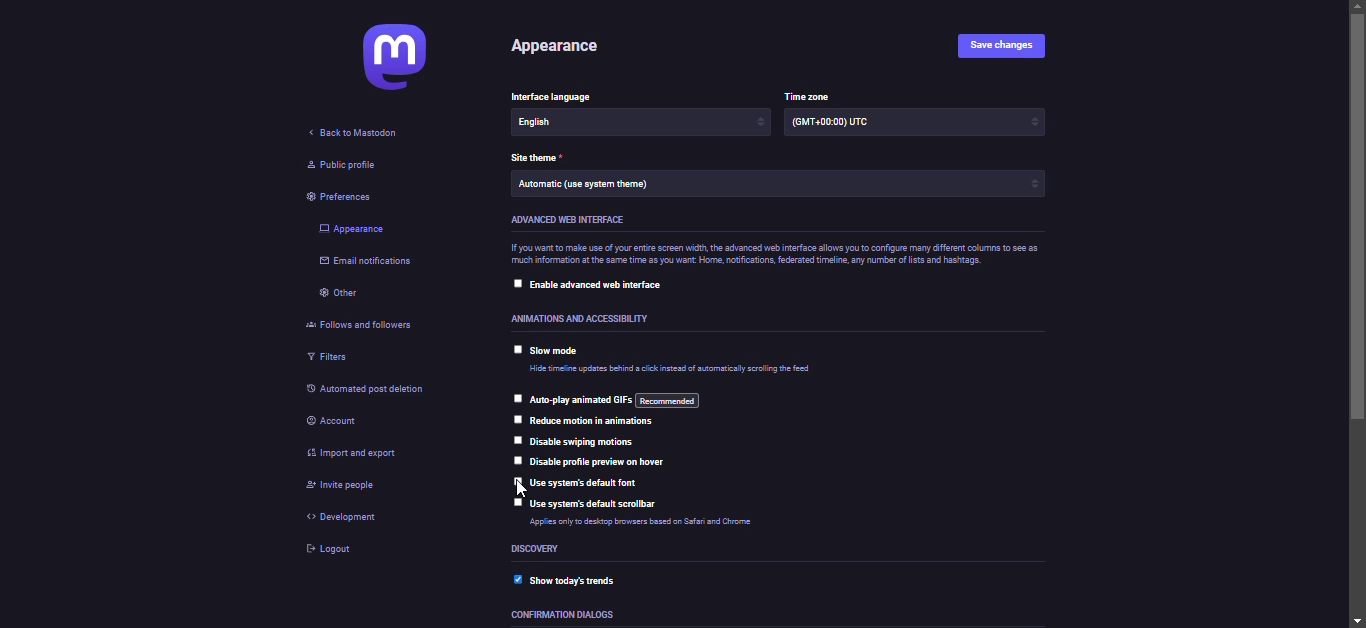 The image size is (1366, 628). I want to click on accessibility, so click(580, 317).